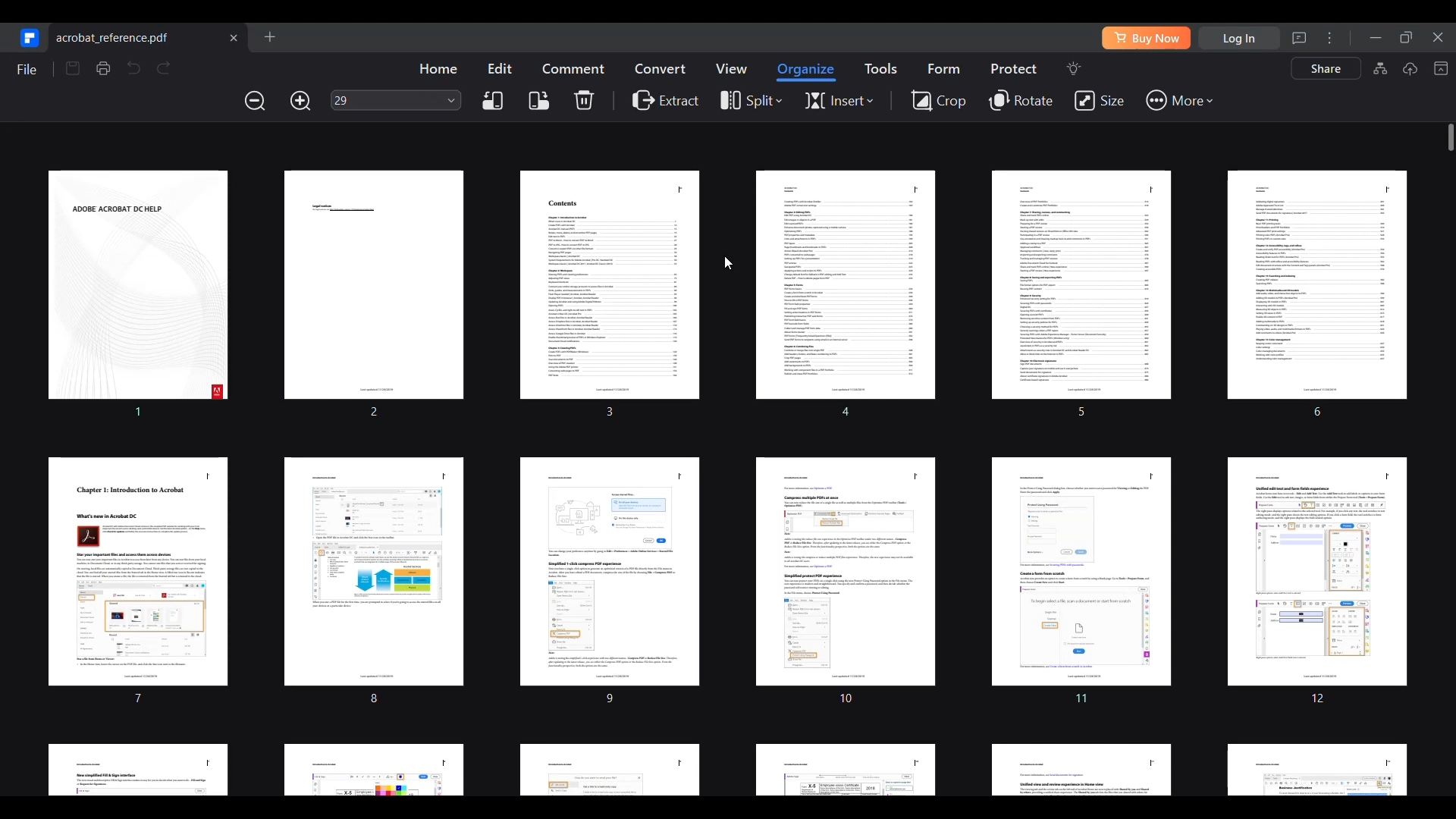 This screenshot has width=1456, height=819. What do you see at coordinates (1440, 36) in the screenshot?
I see `Close` at bounding box center [1440, 36].